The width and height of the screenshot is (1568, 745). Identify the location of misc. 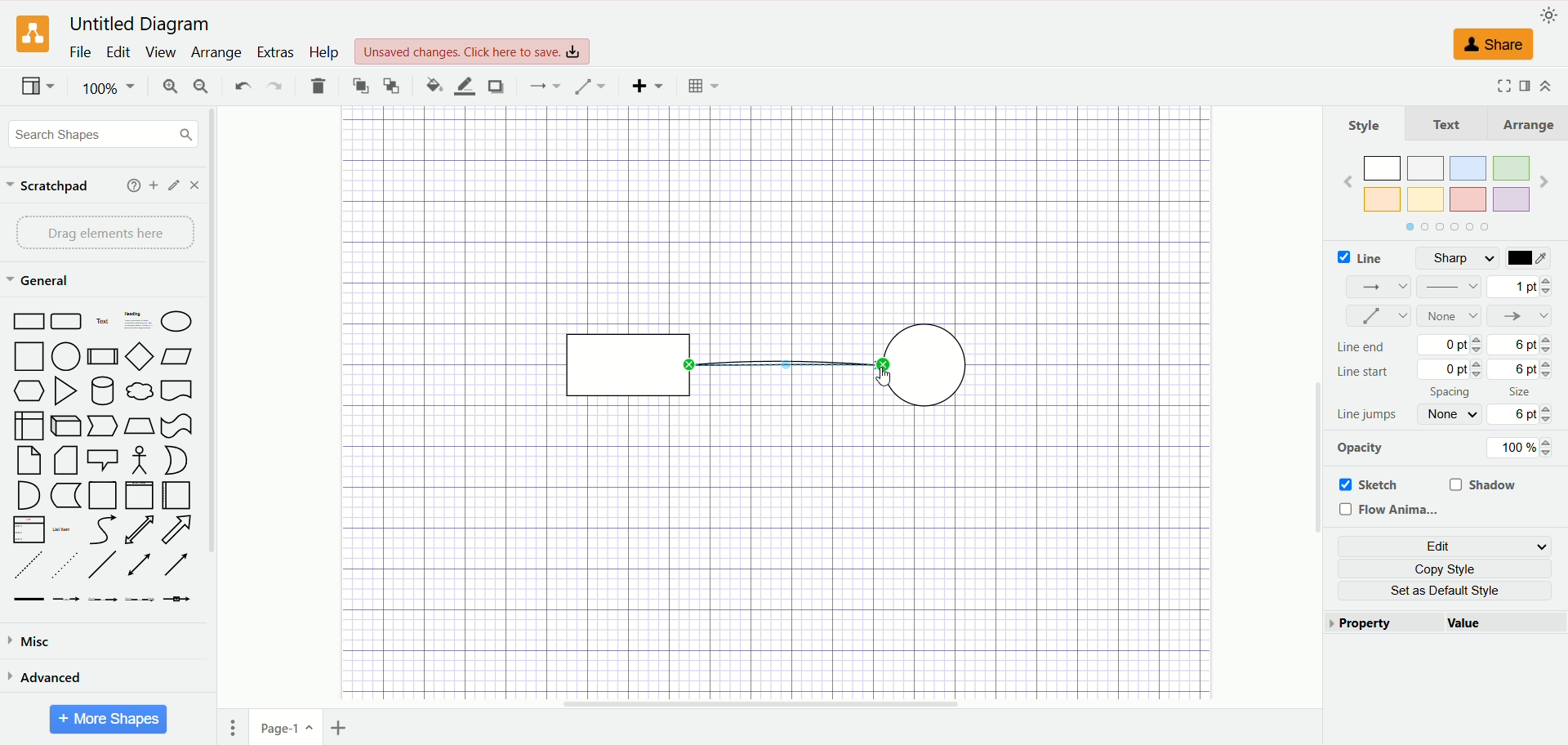
(38, 640).